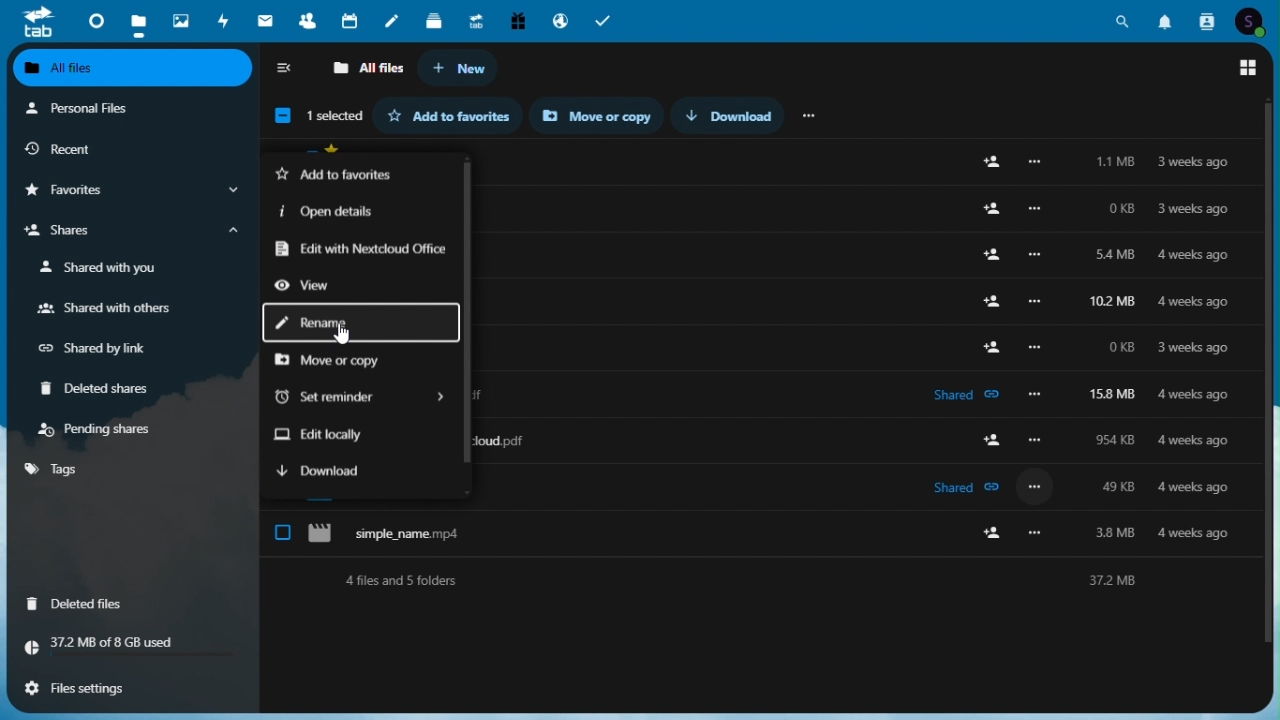 This screenshot has height=720, width=1280. I want to click on 37.2 MB of 8 GB Total, so click(131, 644).